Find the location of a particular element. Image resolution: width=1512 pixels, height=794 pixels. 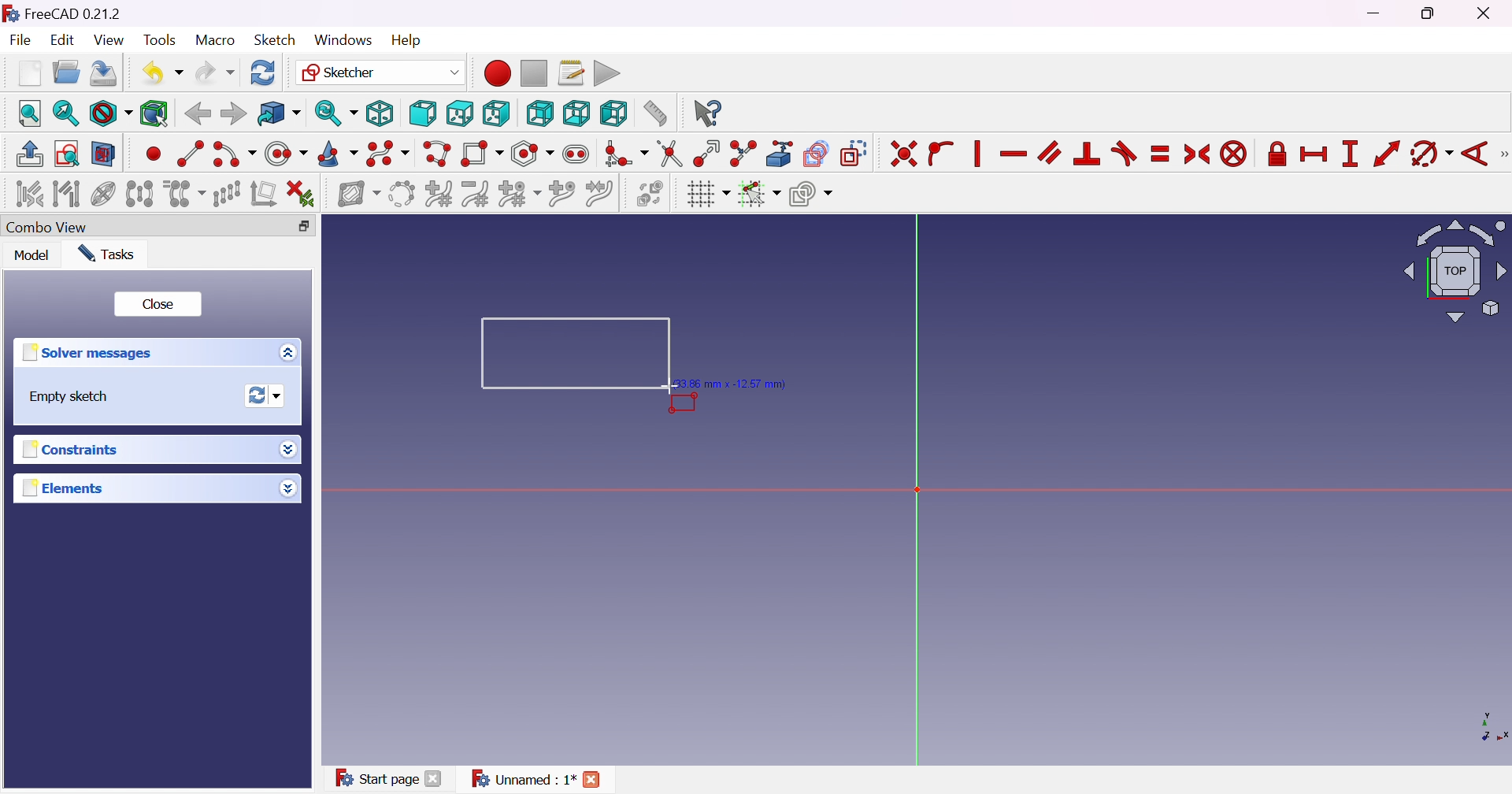

View sketch is located at coordinates (66, 154).